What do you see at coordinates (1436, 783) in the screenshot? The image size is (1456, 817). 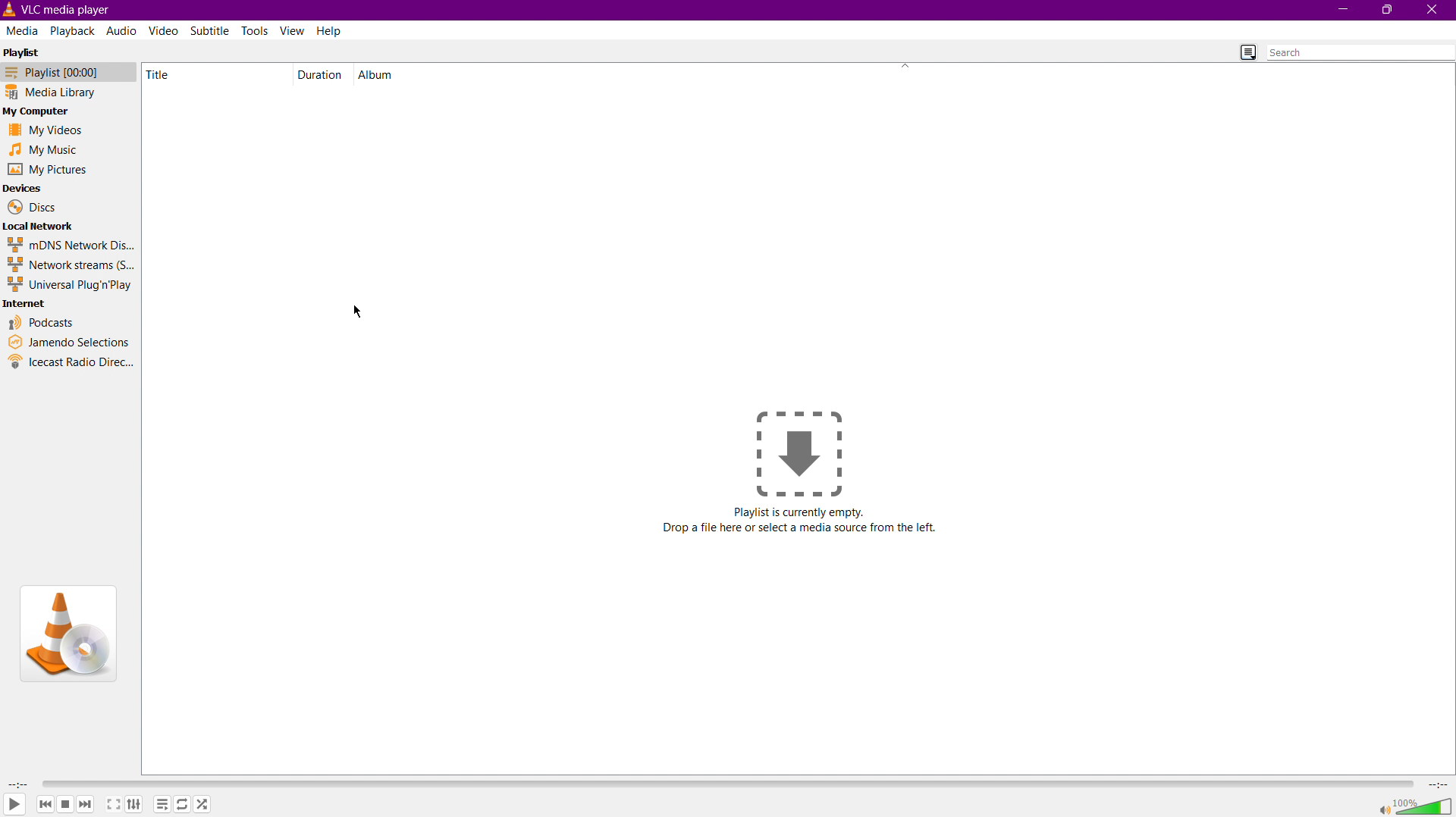 I see `--:--` at bounding box center [1436, 783].